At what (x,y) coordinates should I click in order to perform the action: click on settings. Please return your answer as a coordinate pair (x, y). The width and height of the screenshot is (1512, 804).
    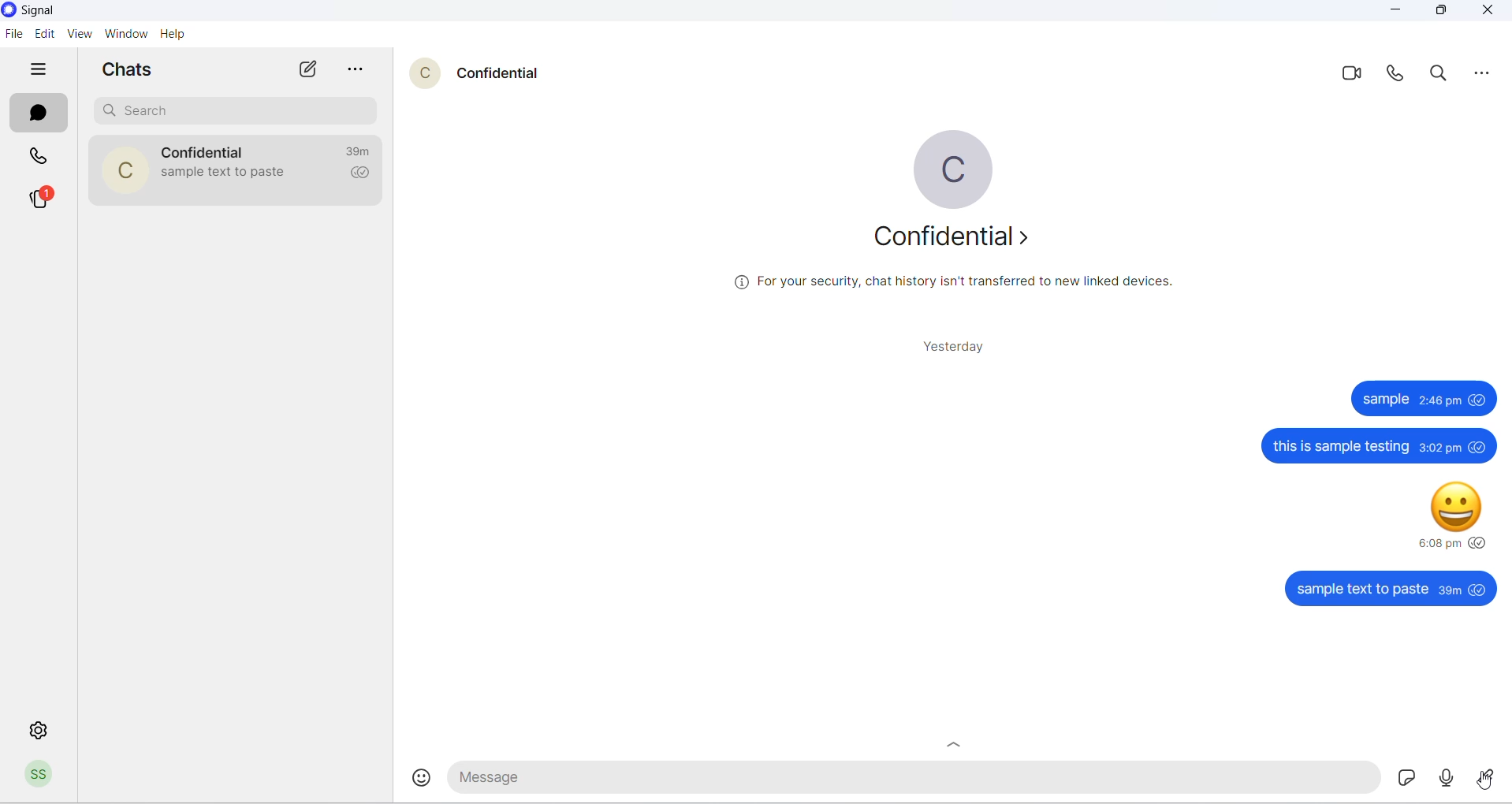
    Looking at the image, I should click on (35, 728).